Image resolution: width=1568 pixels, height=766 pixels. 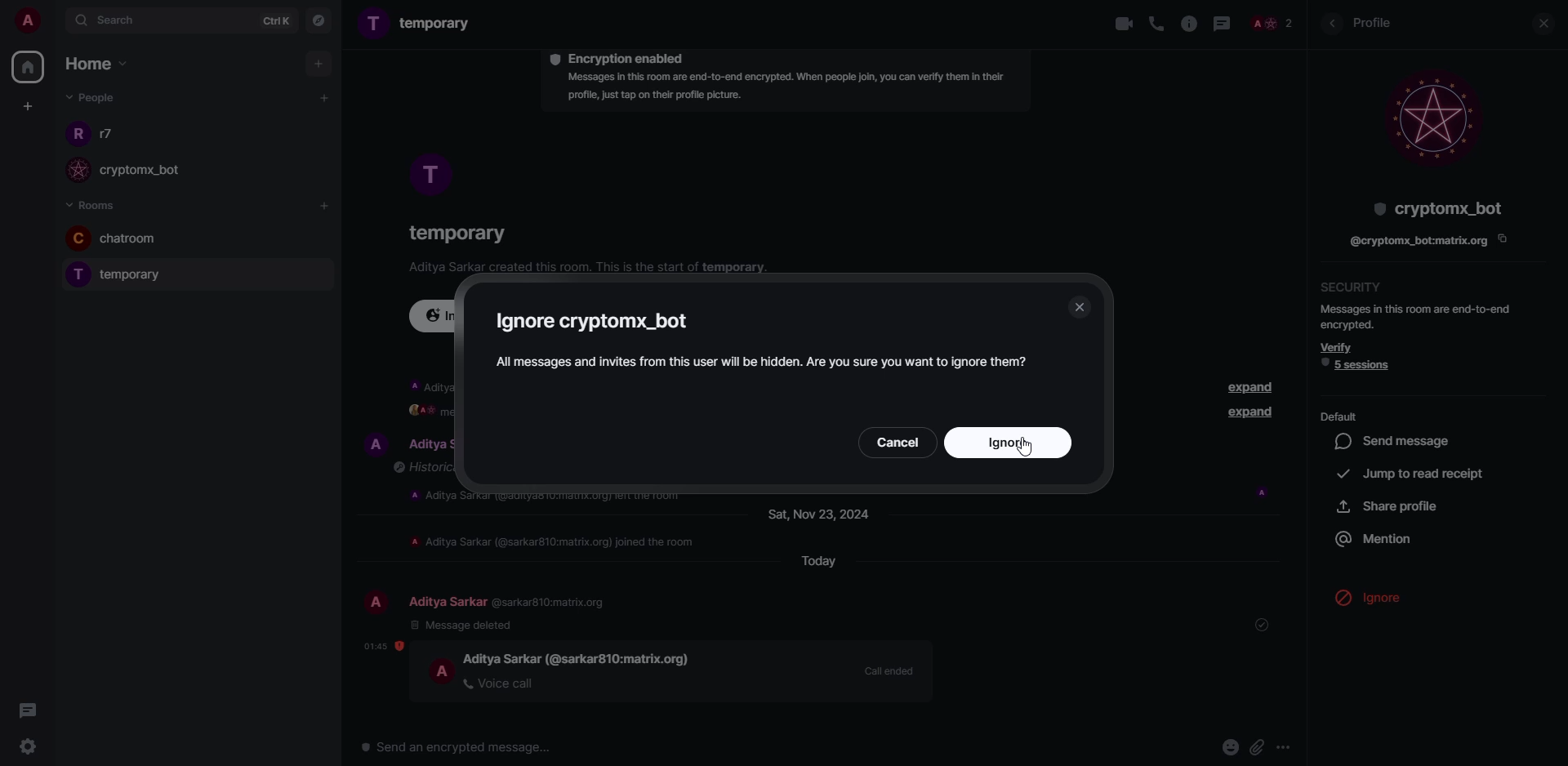 What do you see at coordinates (111, 24) in the screenshot?
I see `search` at bounding box center [111, 24].